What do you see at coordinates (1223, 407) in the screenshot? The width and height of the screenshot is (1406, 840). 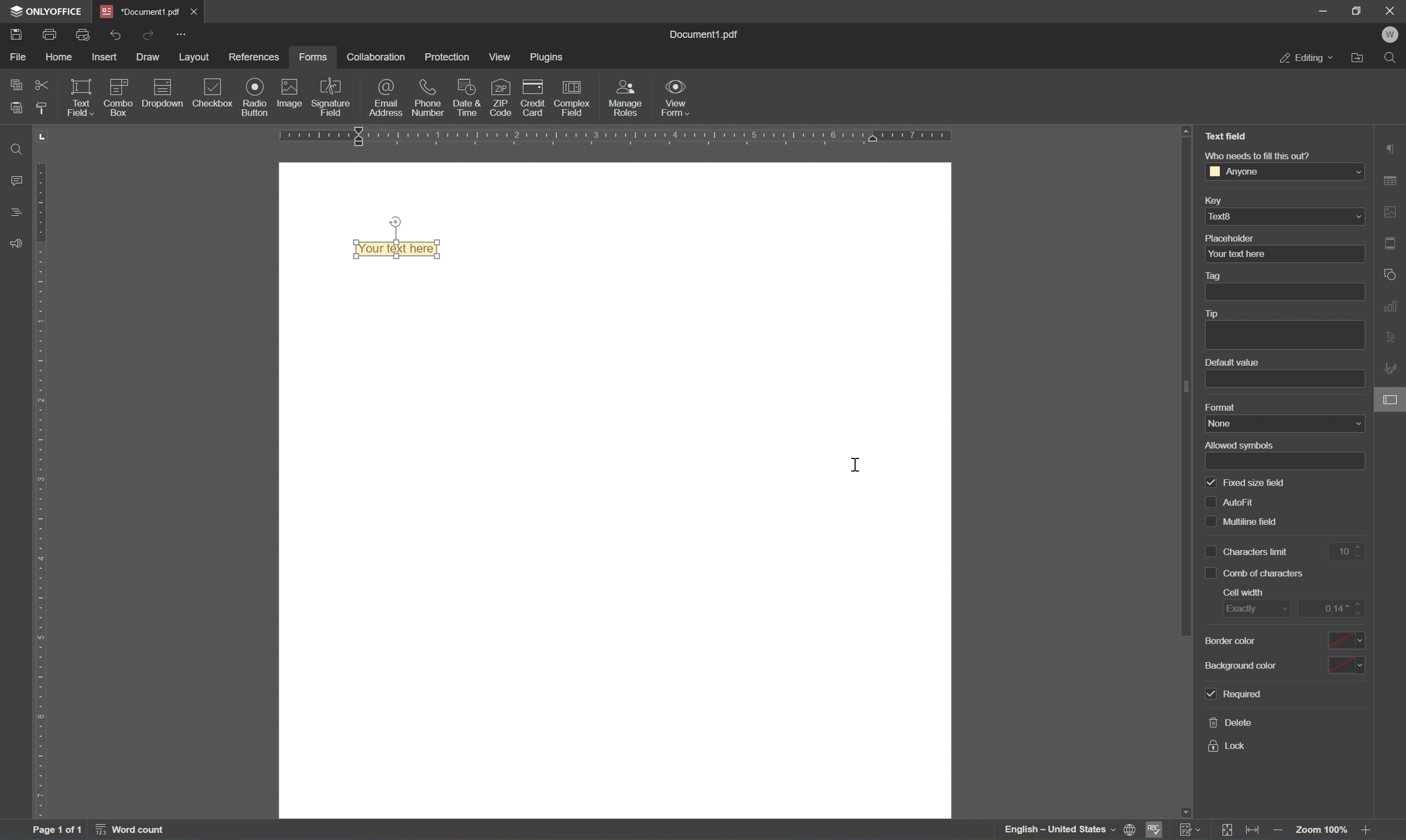 I see `format` at bounding box center [1223, 407].